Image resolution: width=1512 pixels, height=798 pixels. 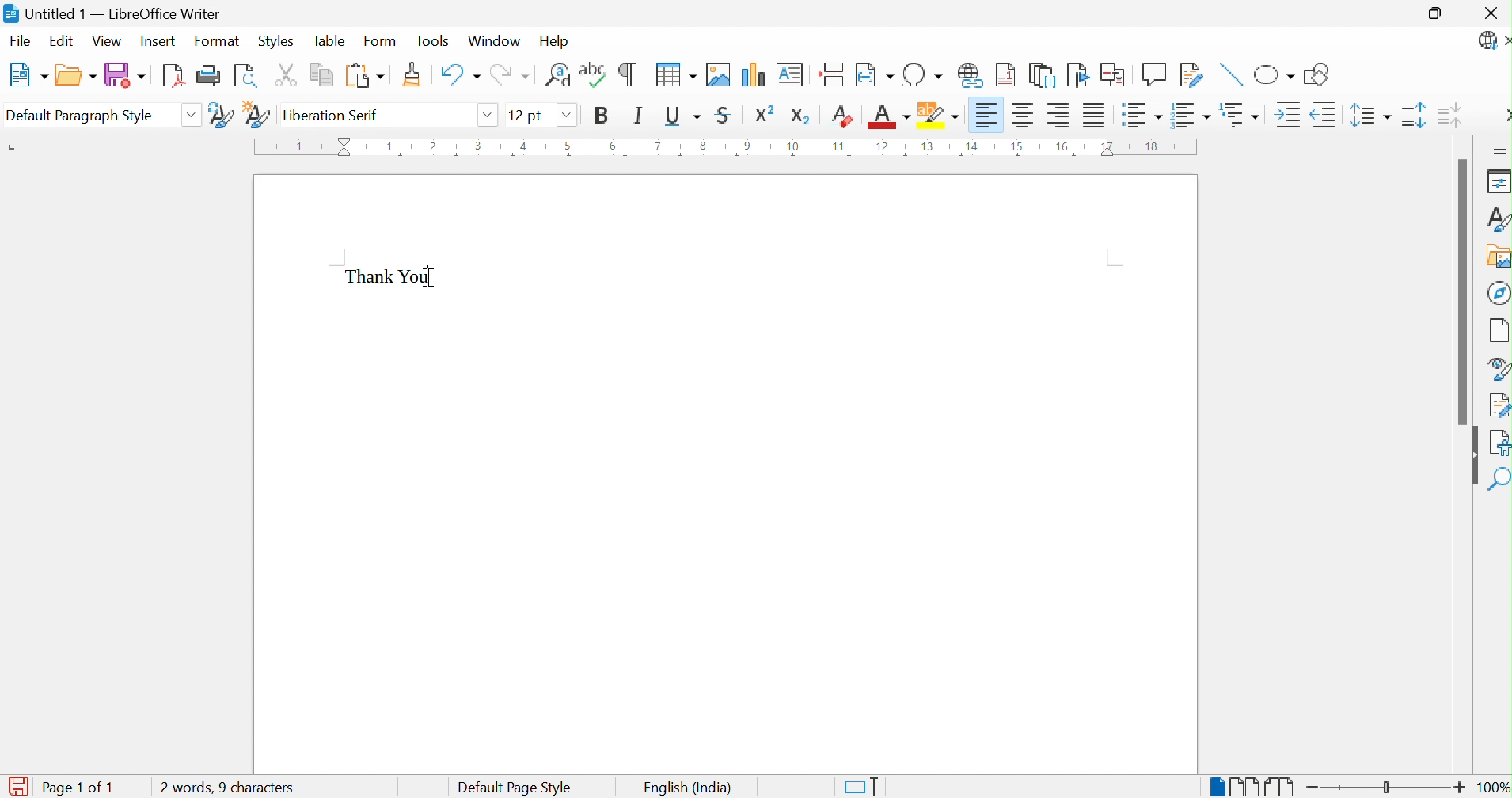 What do you see at coordinates (566, 116) in the screenshot?
I see `Drop Down` at bounding box center [566, 116].